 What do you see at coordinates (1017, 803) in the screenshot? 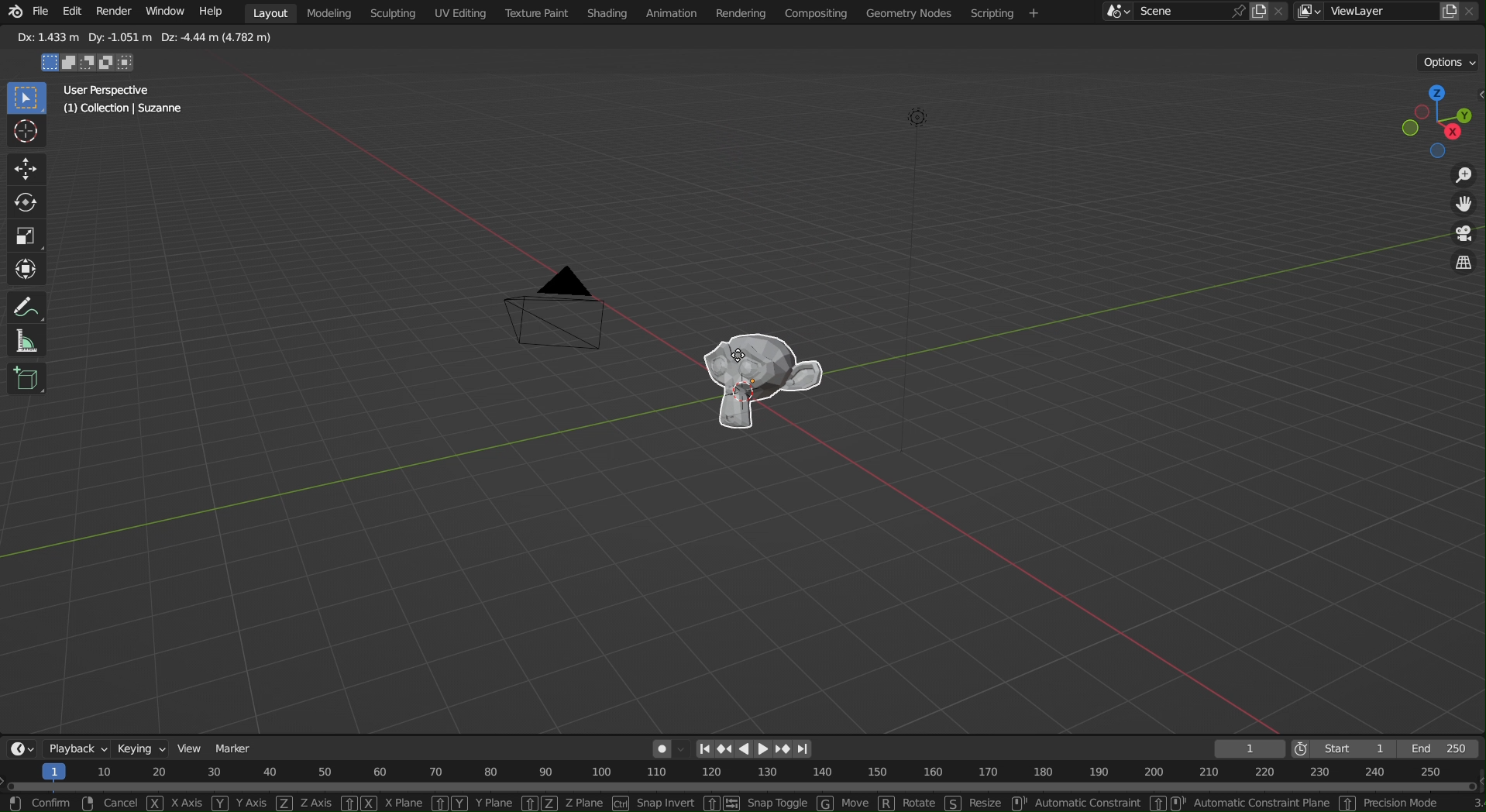
I see `right click` at bounding box center [1017, 803].